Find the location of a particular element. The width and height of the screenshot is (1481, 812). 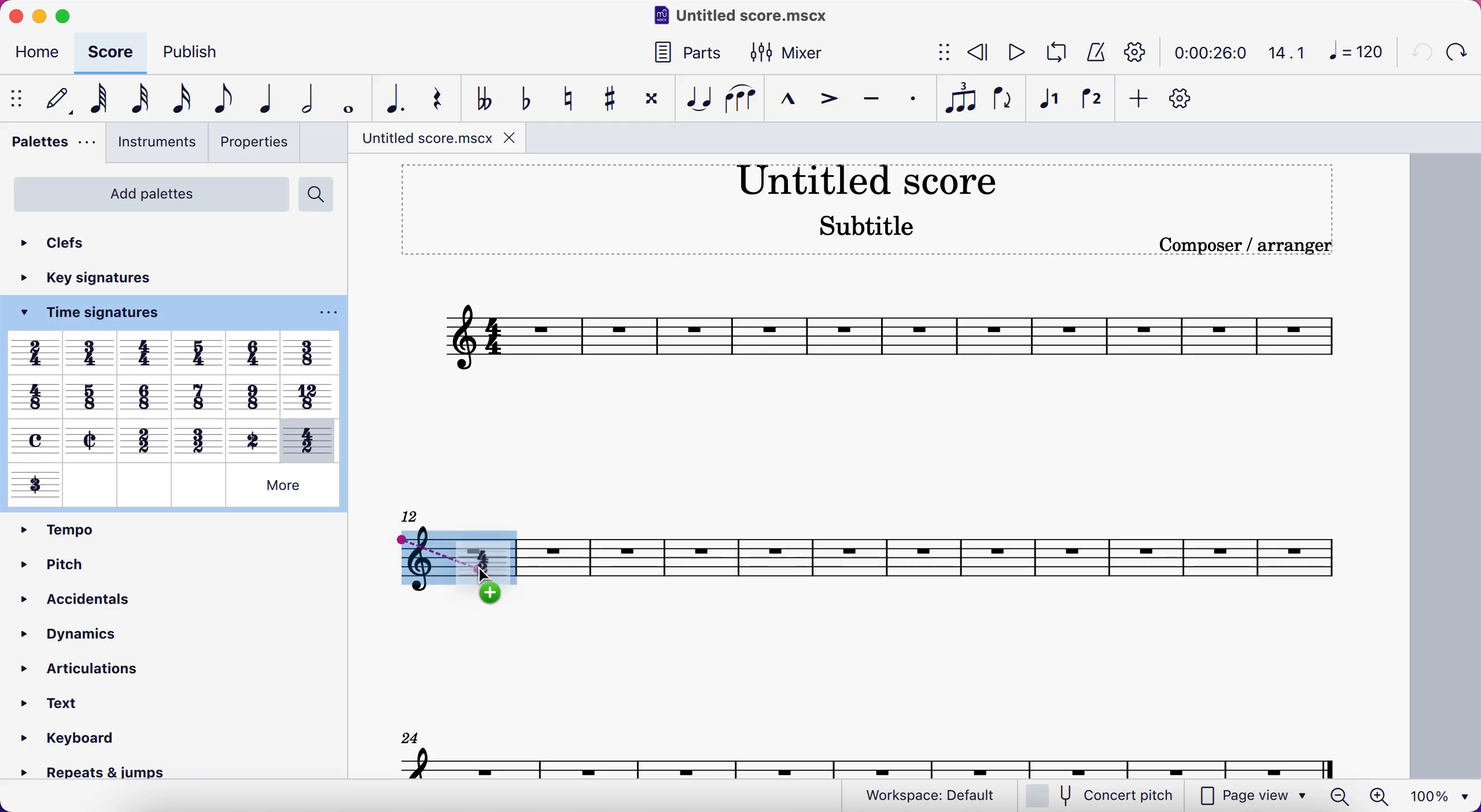

» Keyboard is located at coordinates (68, 738).